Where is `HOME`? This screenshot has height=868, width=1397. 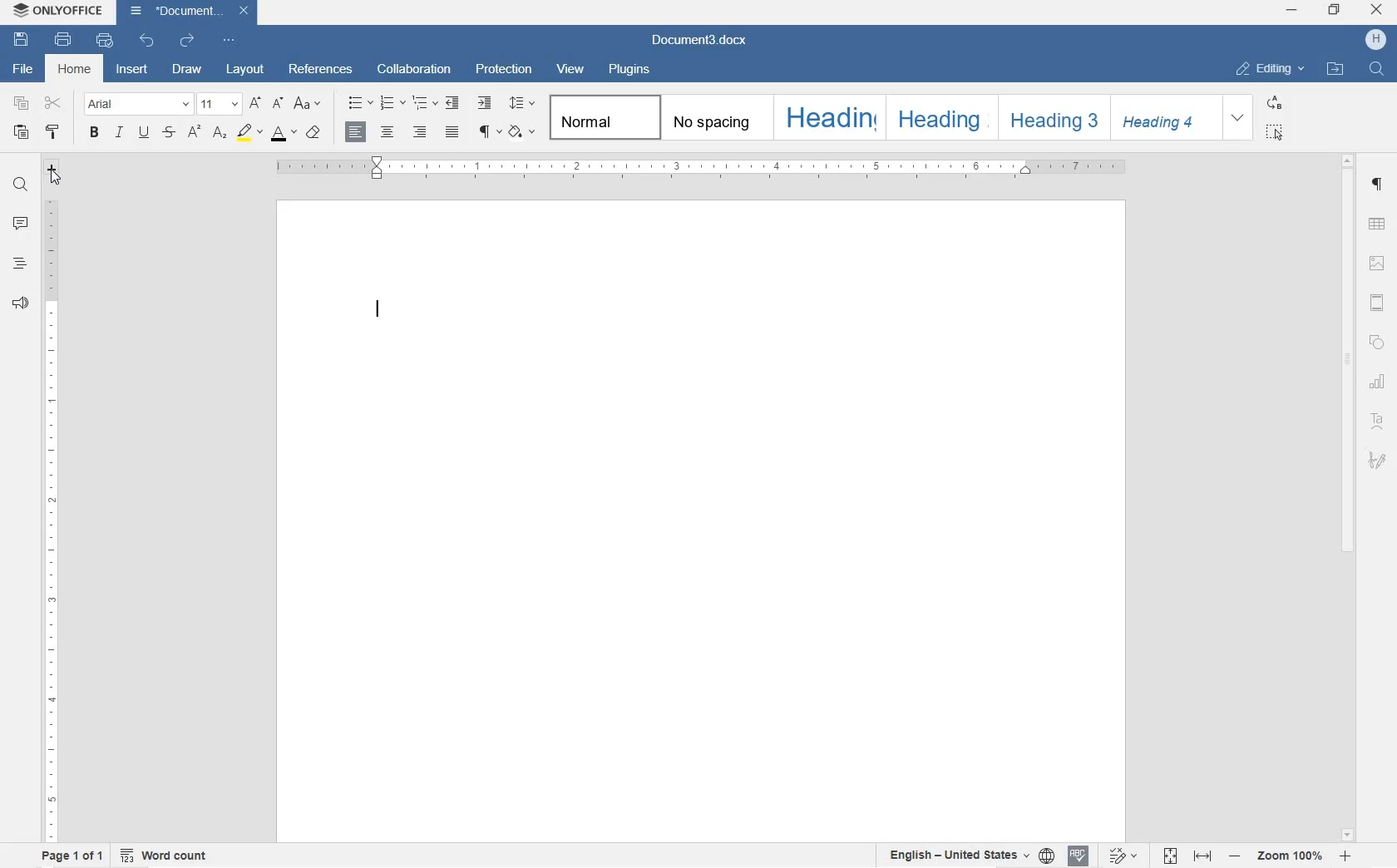 HOME is located at coordinates (73, 70).